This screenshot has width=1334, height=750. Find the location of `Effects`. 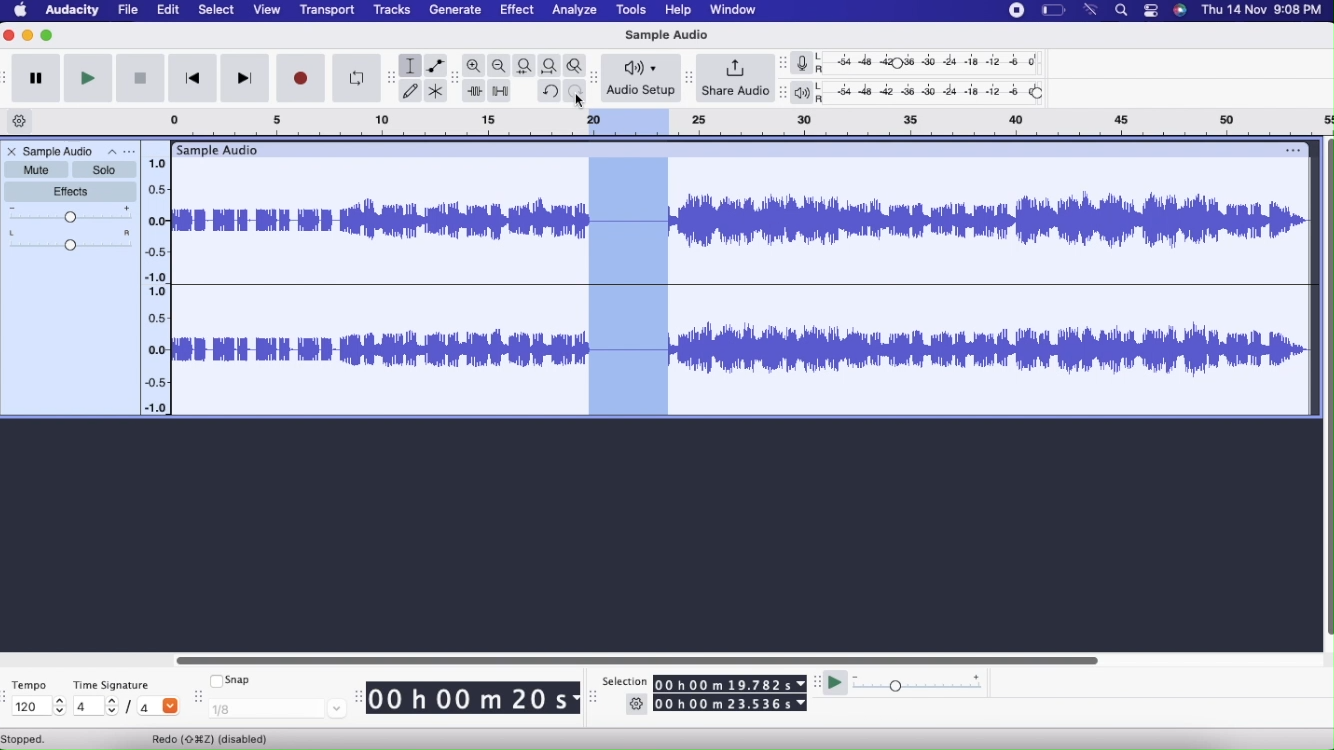

Effects is located at coordinates (72, 193).